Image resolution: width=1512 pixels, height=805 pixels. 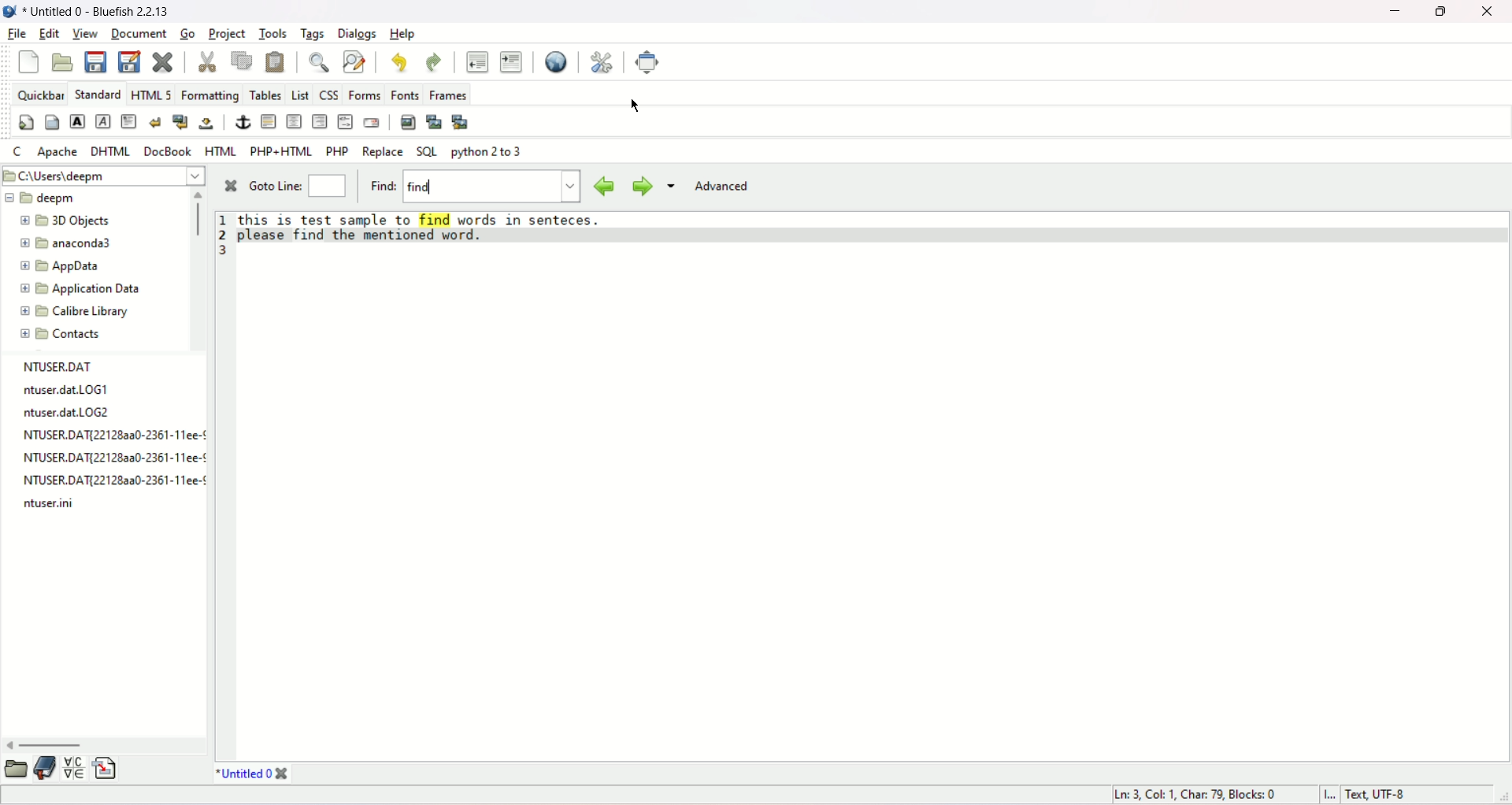 What do you see at coordinates (1196, 792) in the screenshot?
I see `Ln: 3, Cok: 1, Char: 79, Blocks: 0` at bounding box center [1196, 792].